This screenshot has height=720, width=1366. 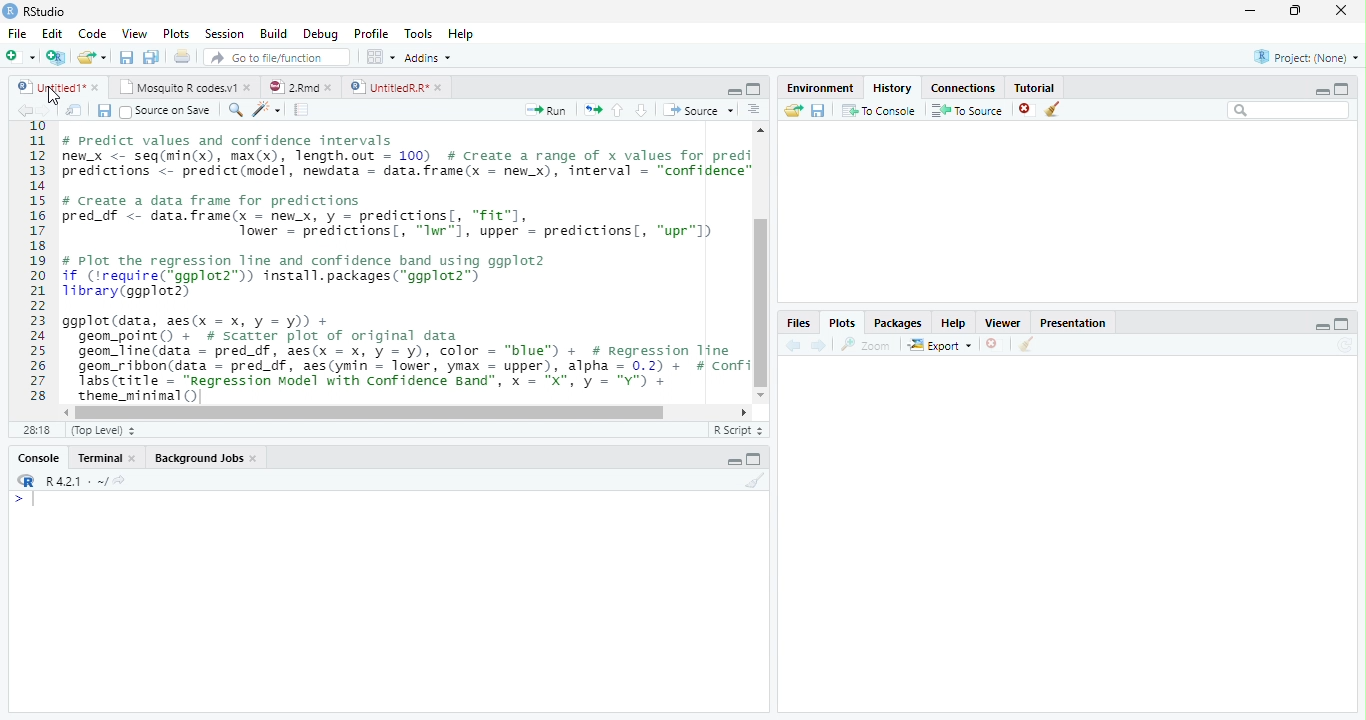 I want to click on Maximize, so click(x=756, y=89).